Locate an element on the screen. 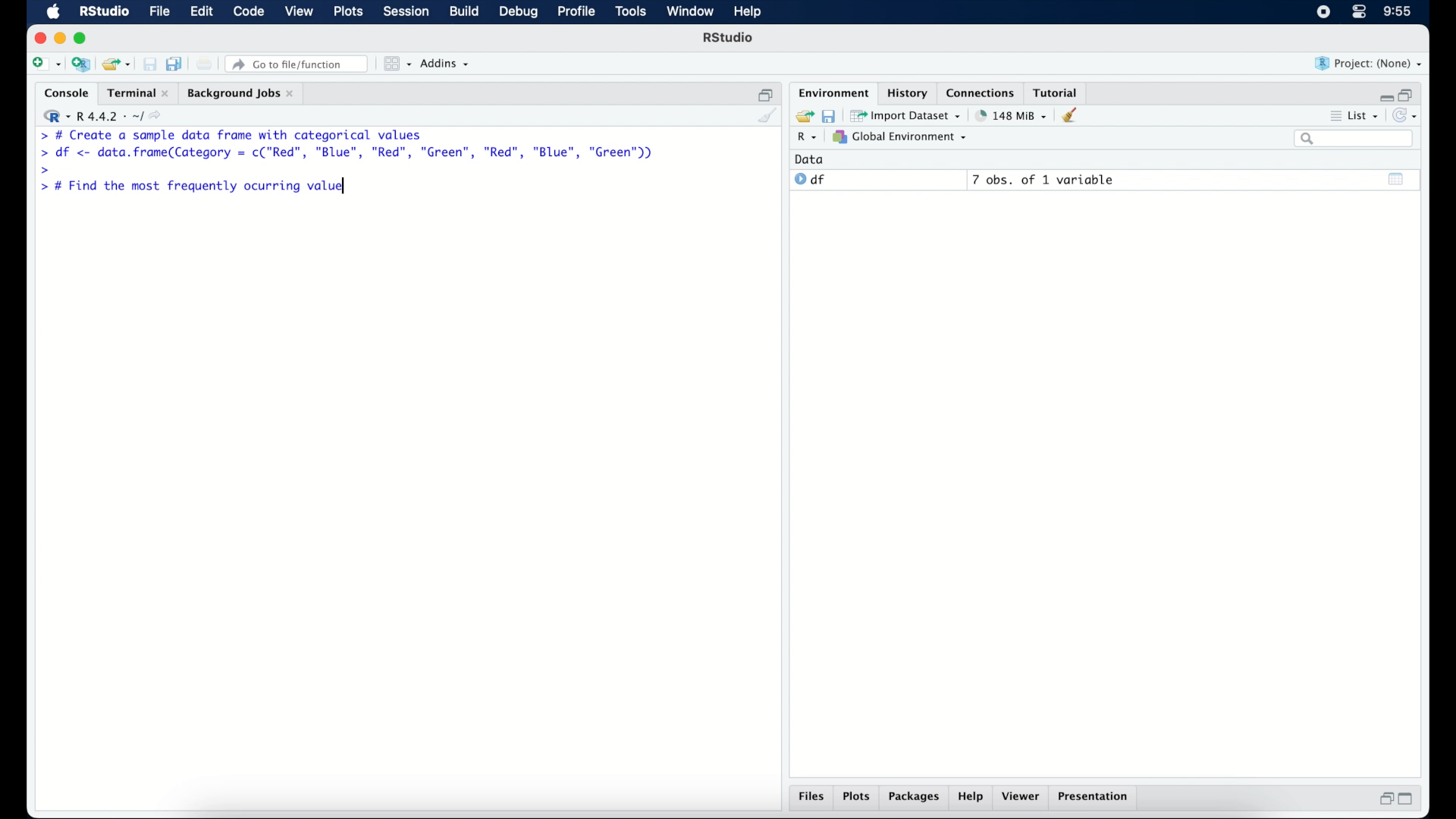 The width and height of the screenshot is (1456, 819). background jobs is located at coordinates (243, 93).